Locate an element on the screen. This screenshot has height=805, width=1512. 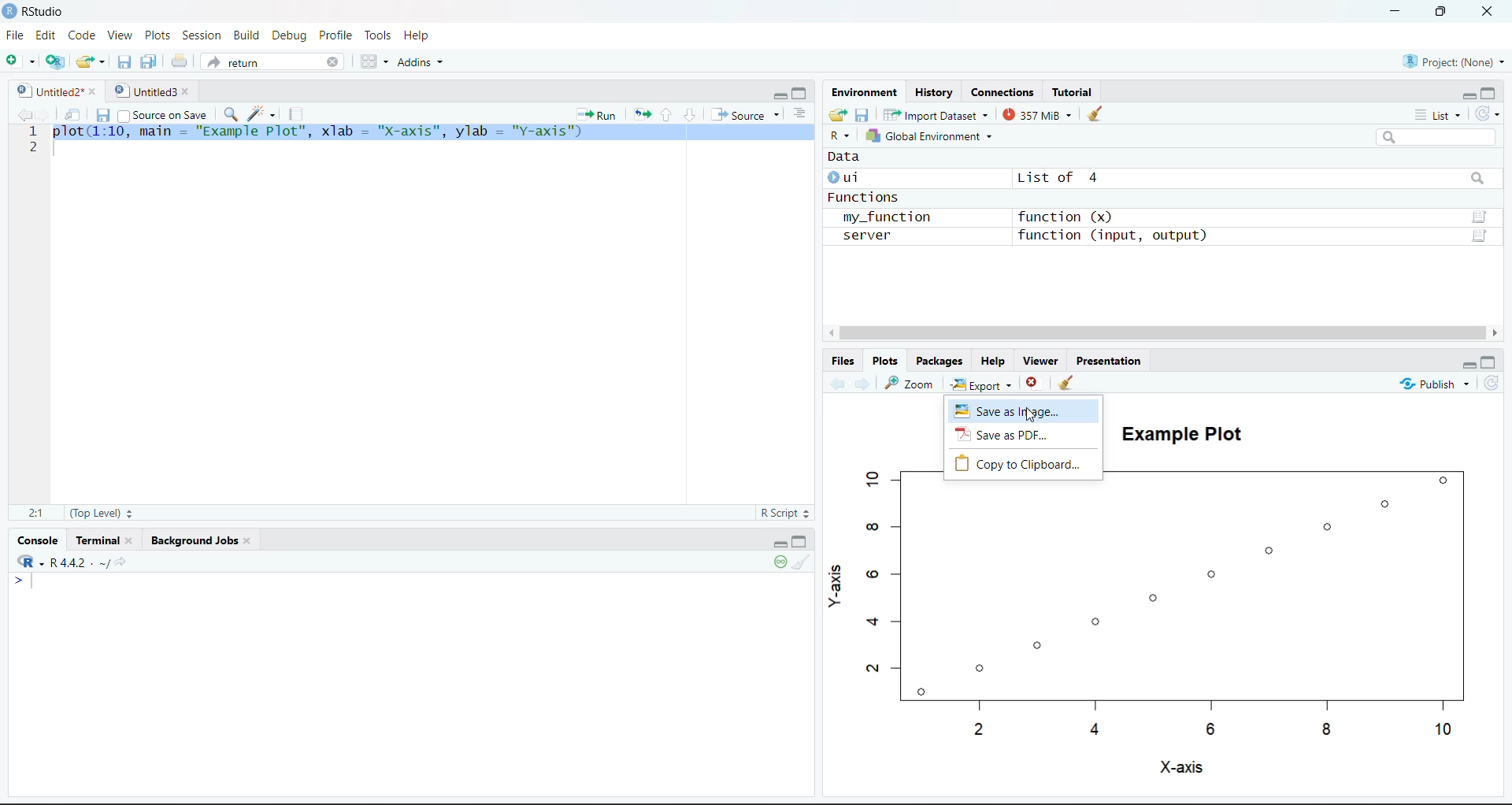
Refresh the list of objects in the environment is located at coordinates (1488, 113).